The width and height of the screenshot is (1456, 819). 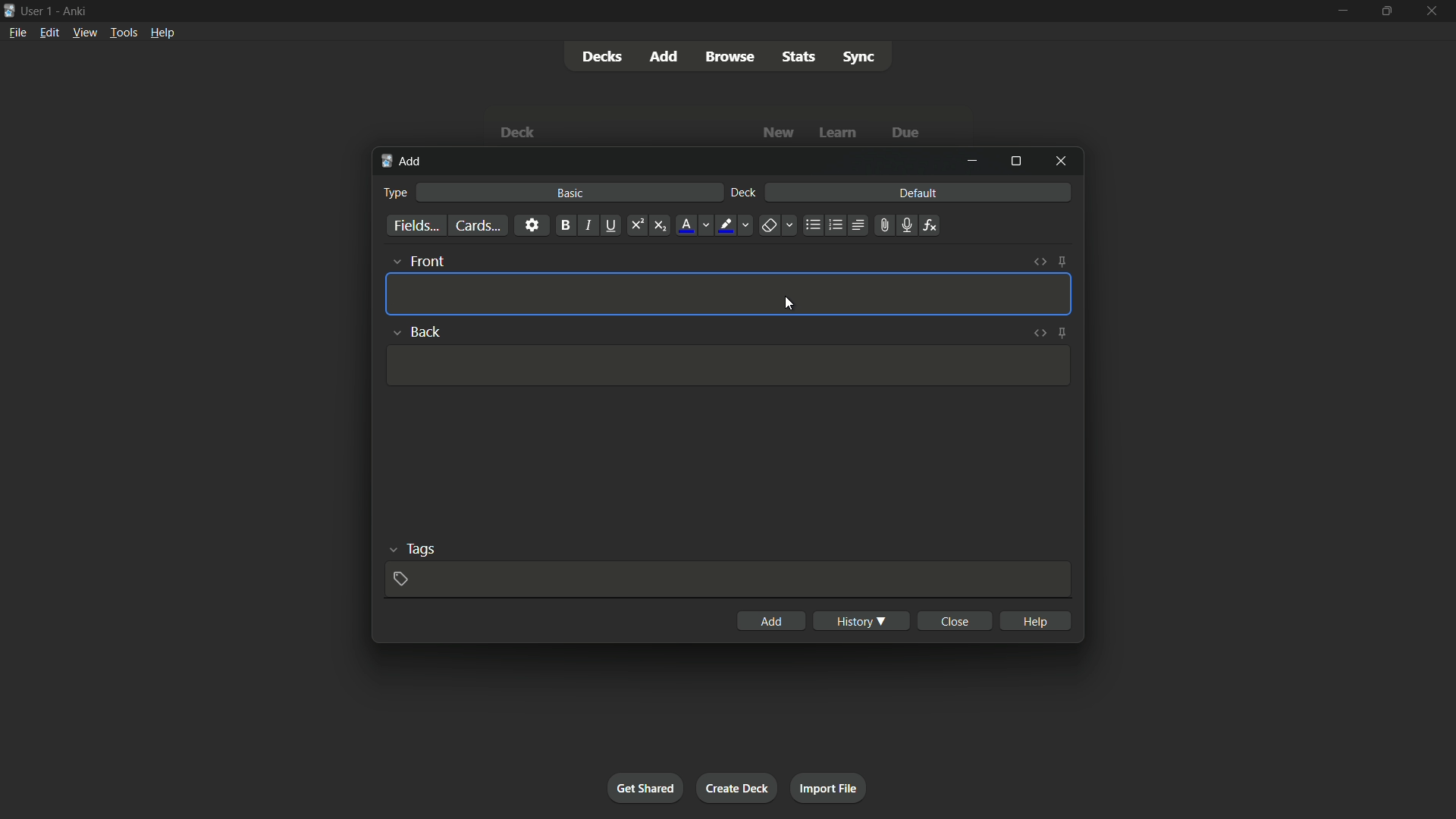 I want to click on help menu, so click(x=162, y=33).